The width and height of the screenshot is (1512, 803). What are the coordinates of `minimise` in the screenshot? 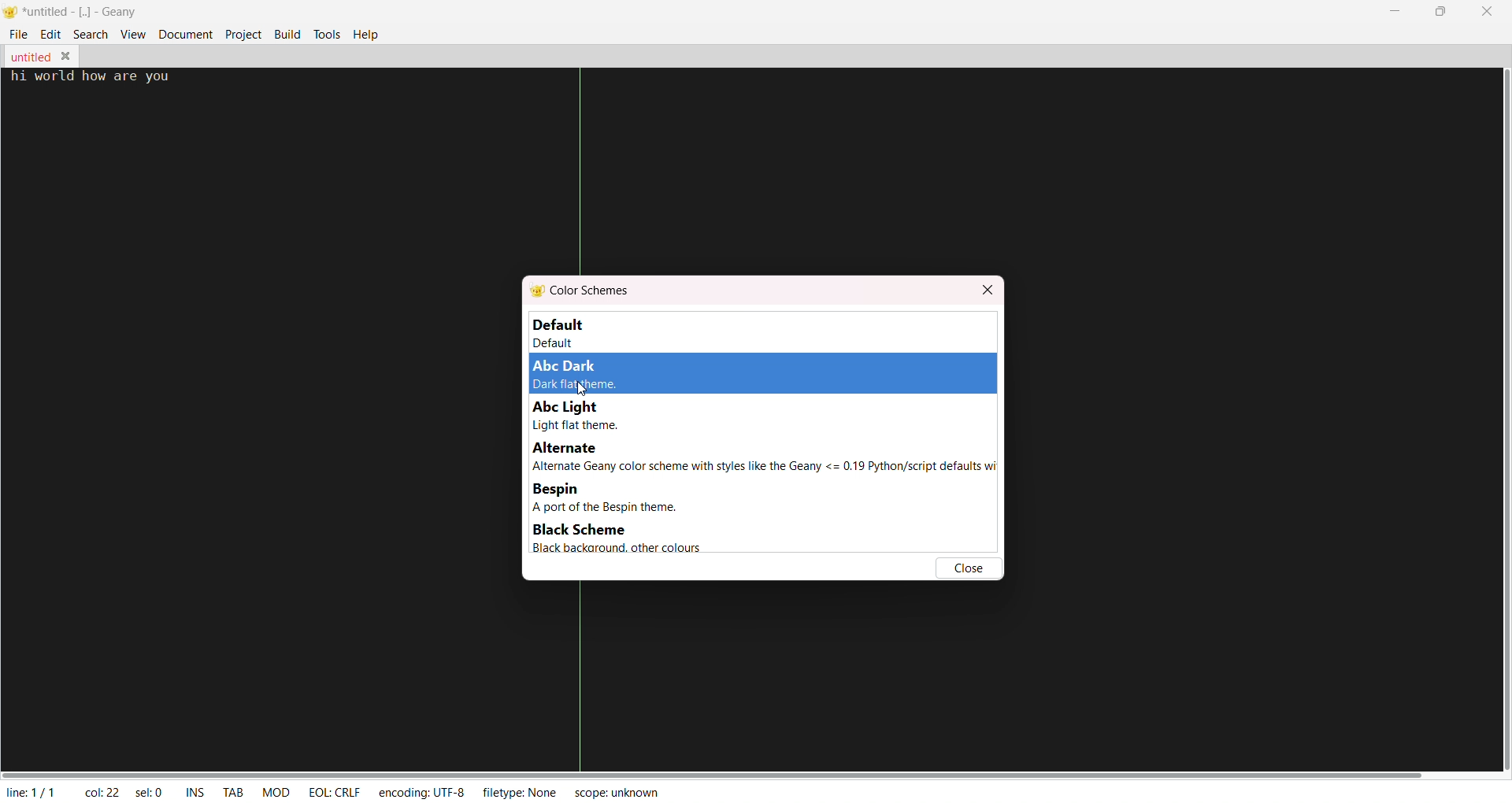 It's located at (1398, 13).